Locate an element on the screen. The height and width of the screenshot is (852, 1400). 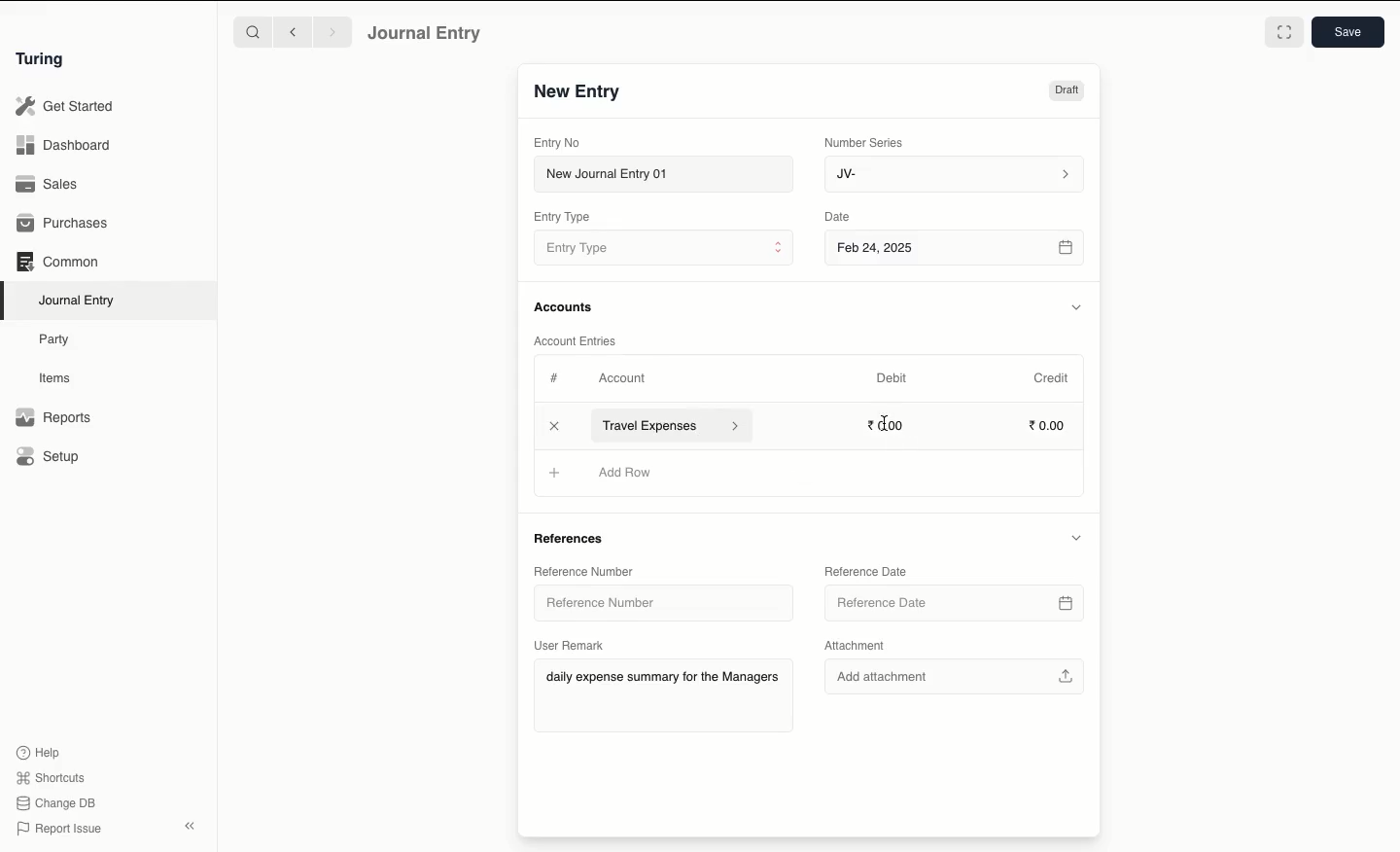
Setup is located at coordinates (49, 455).